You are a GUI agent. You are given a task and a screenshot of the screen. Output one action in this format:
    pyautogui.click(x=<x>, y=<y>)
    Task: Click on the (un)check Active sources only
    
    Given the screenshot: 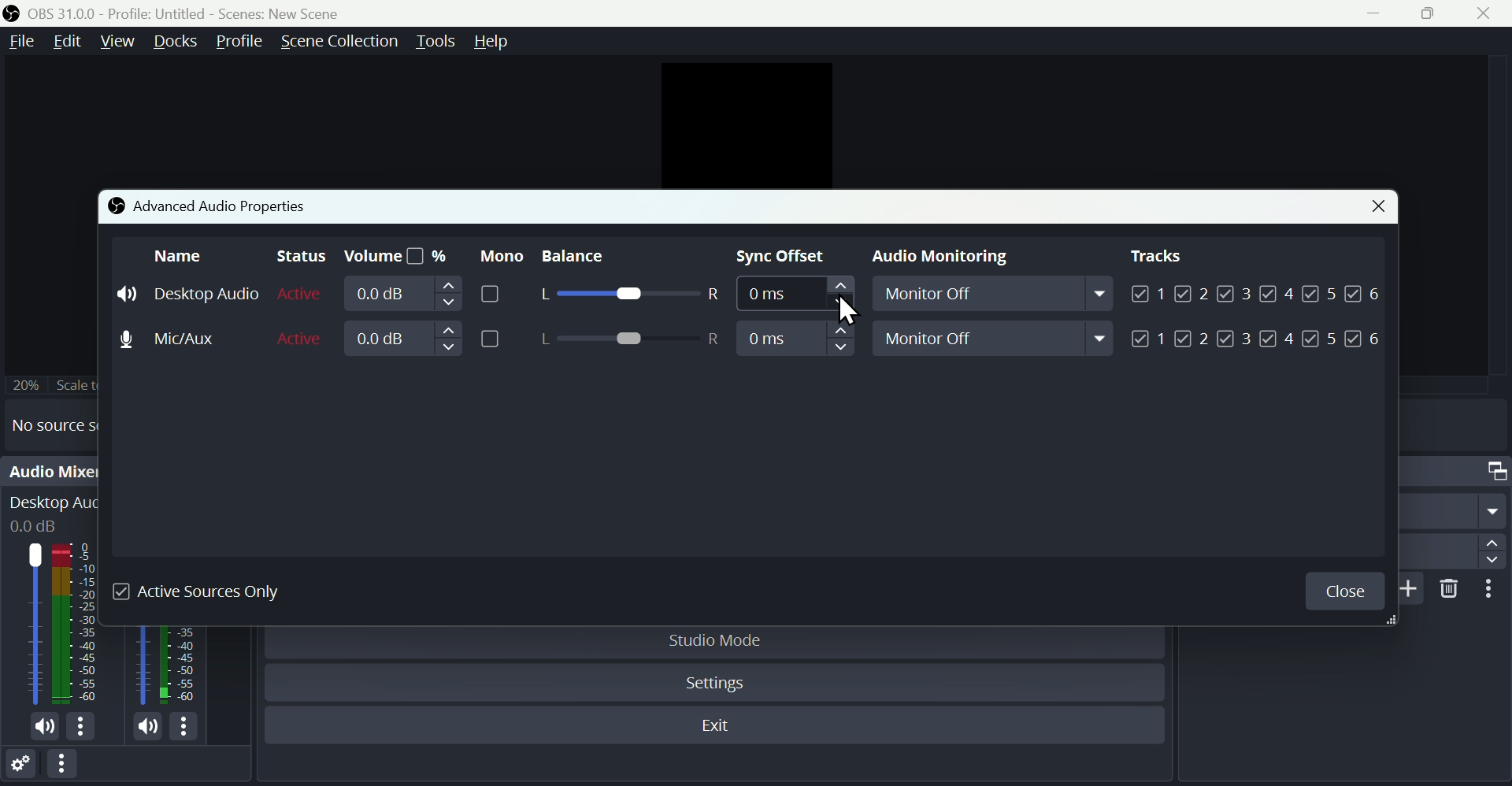 What is the action you would take?
    pyautogui.click(x=209, y=591)
    